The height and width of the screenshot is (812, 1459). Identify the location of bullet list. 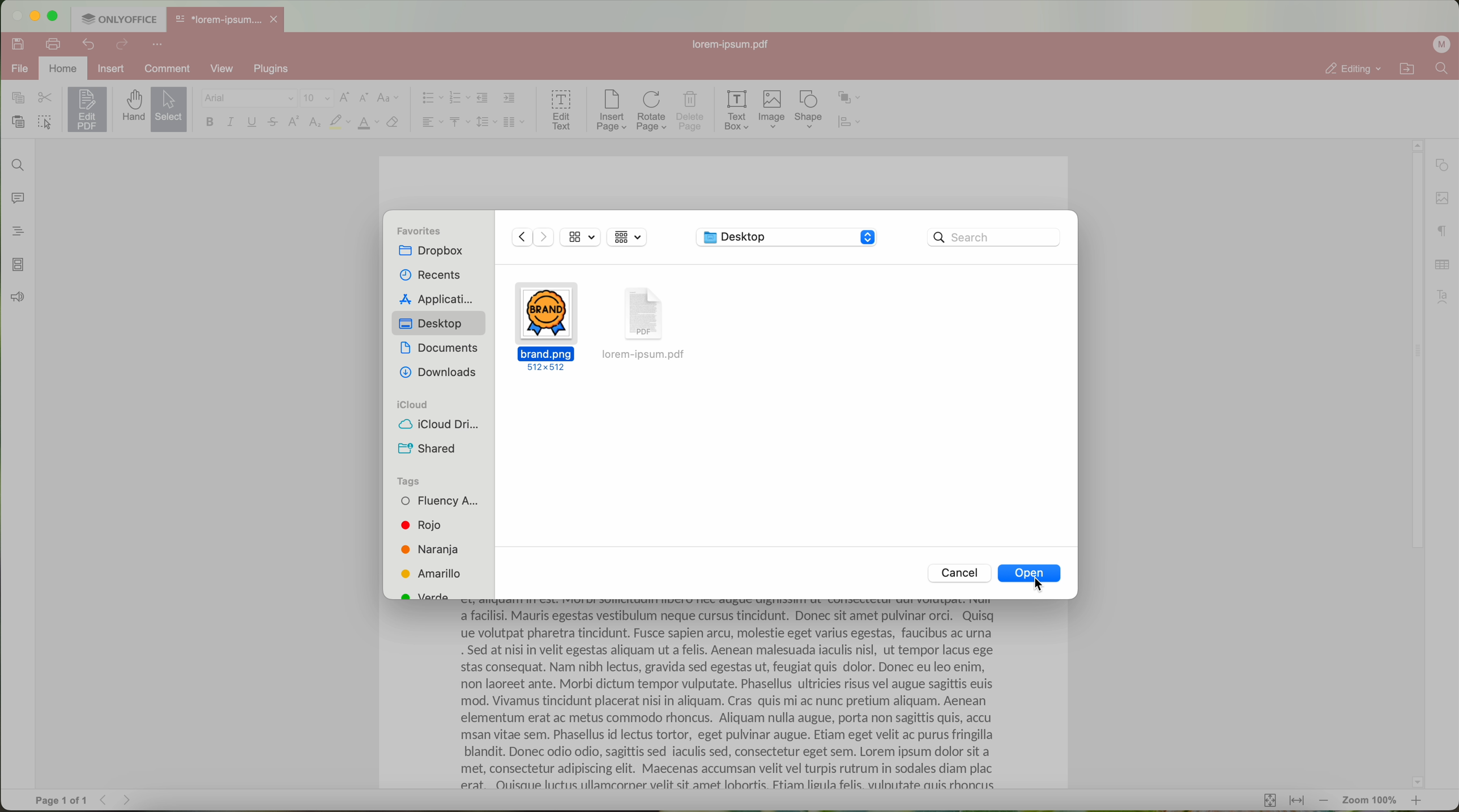
(429, 99).